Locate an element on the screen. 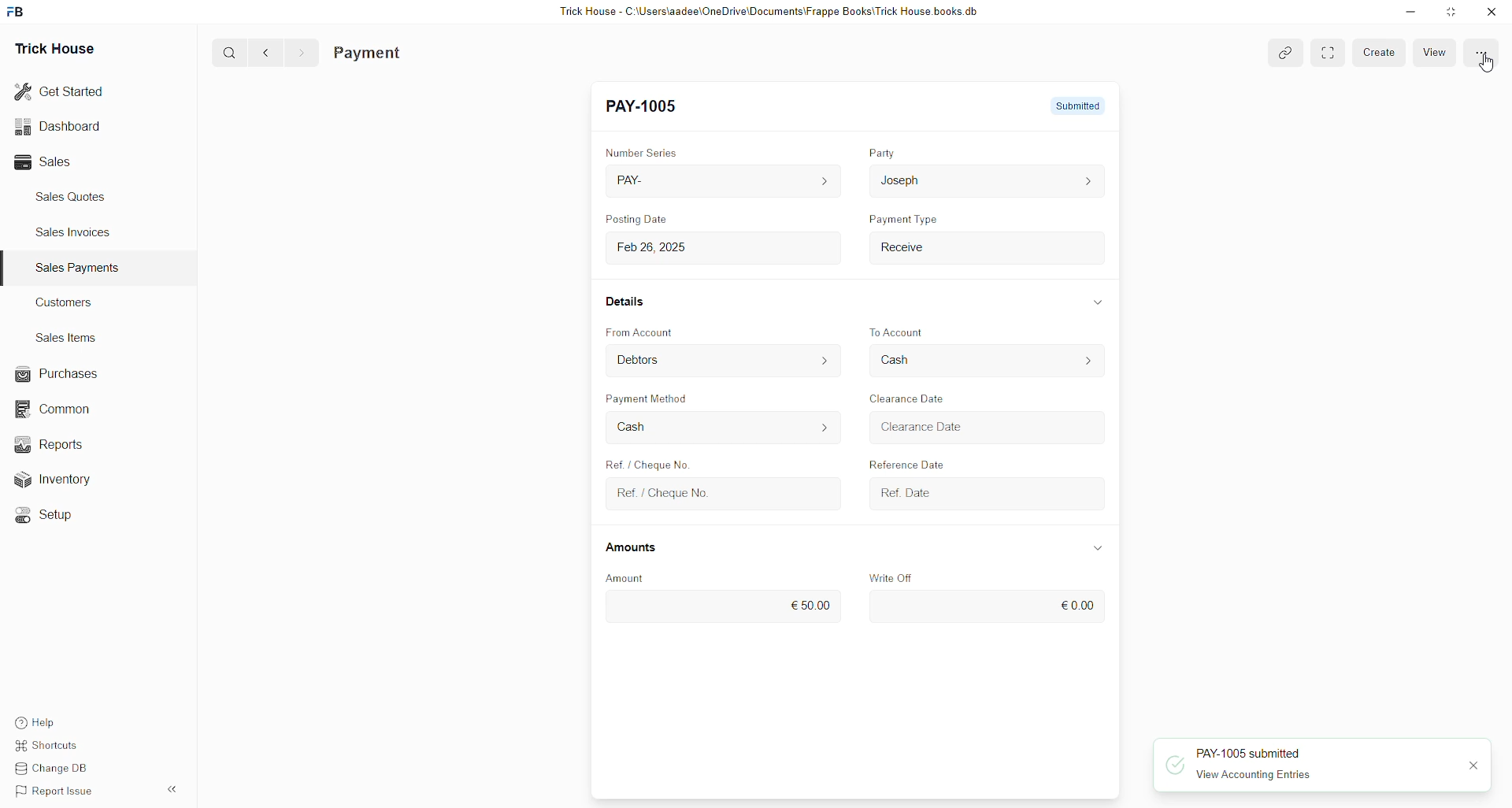 The image size is (1512, 808). Not Submitted is located at coordinates (1069, 106).